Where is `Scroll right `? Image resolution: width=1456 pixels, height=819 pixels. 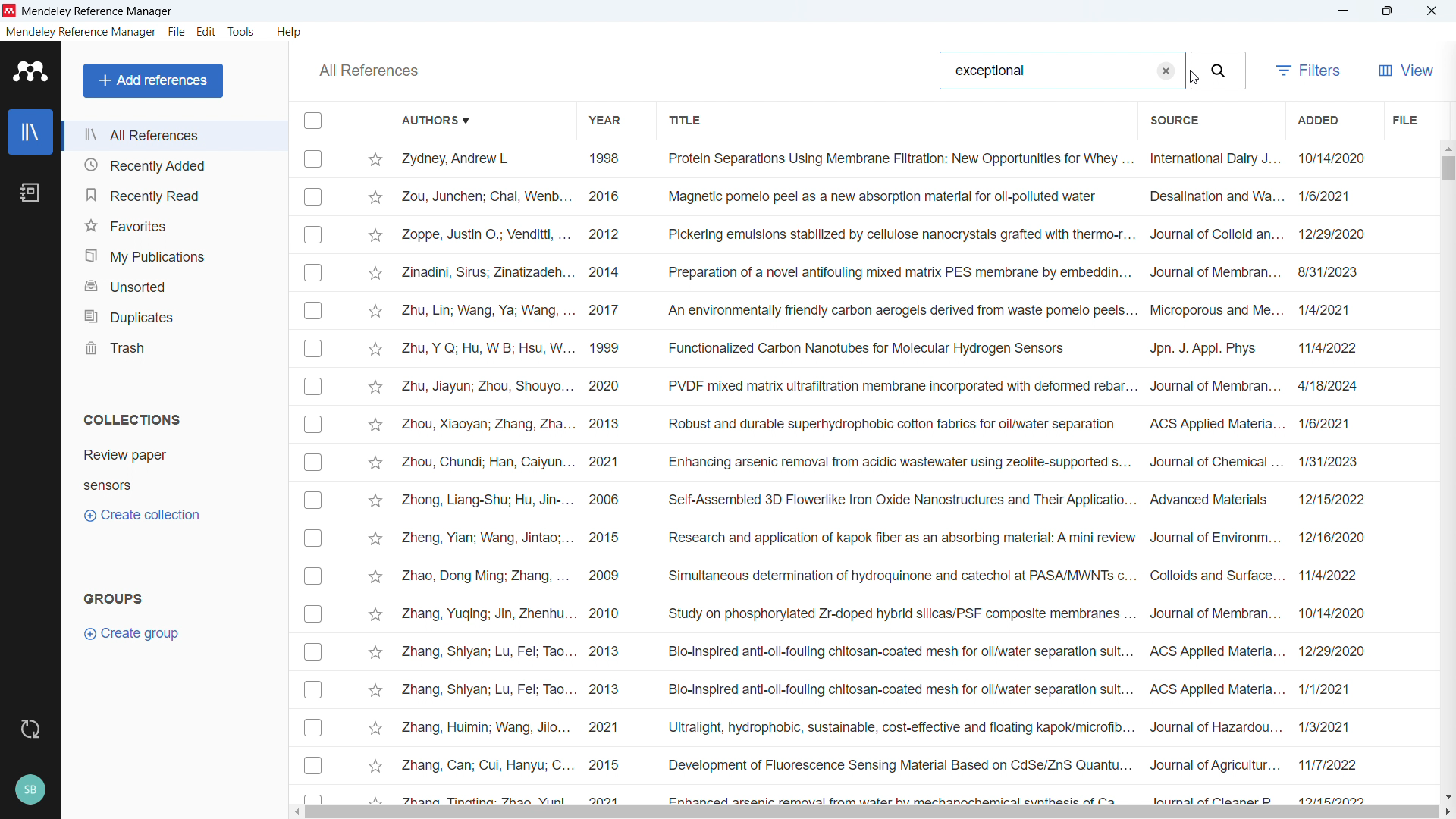 Scroll right  is located at coordinates (1447, 813).